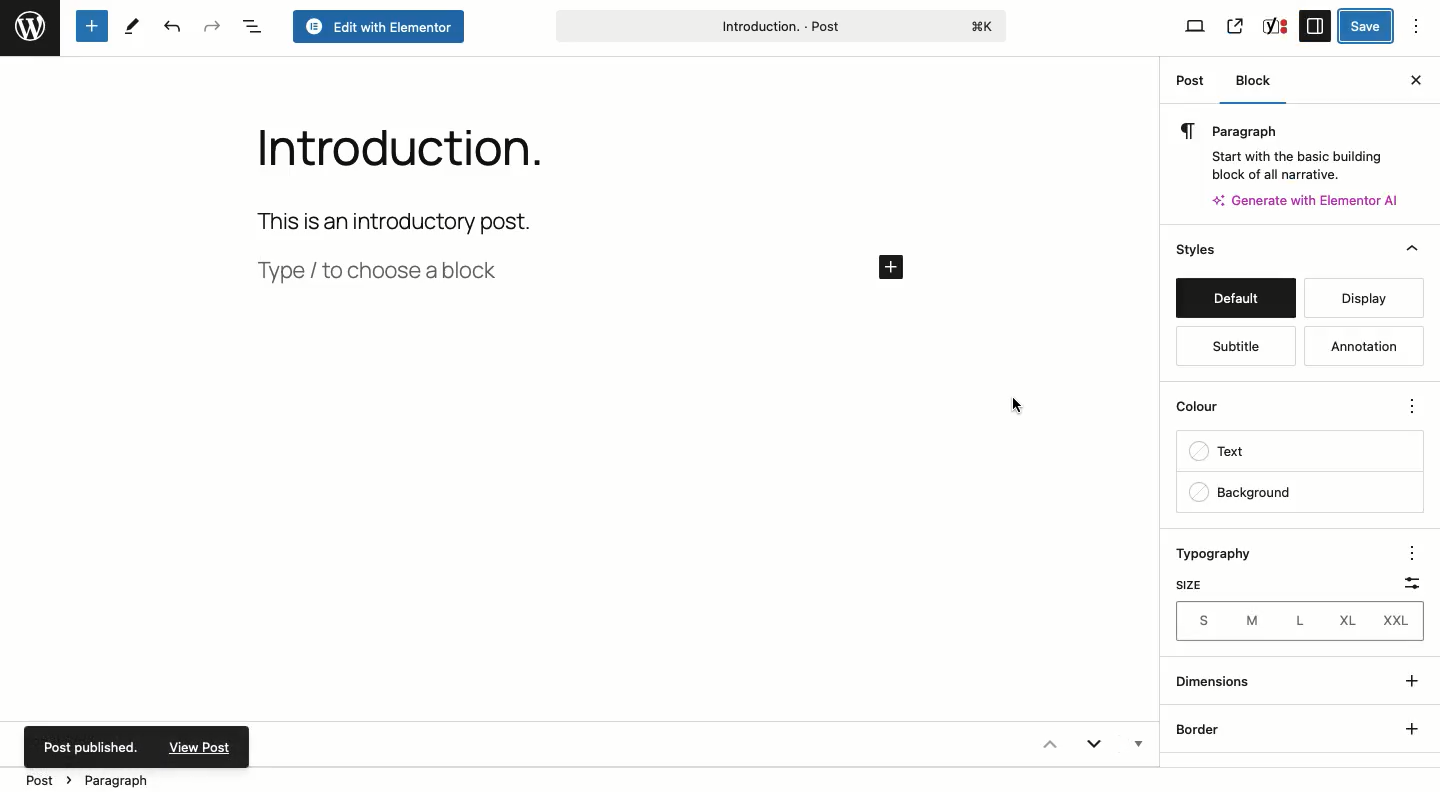 The width and height of the screenshot is (1440, 792). I want to click on Cursor, so click(1015, 405).